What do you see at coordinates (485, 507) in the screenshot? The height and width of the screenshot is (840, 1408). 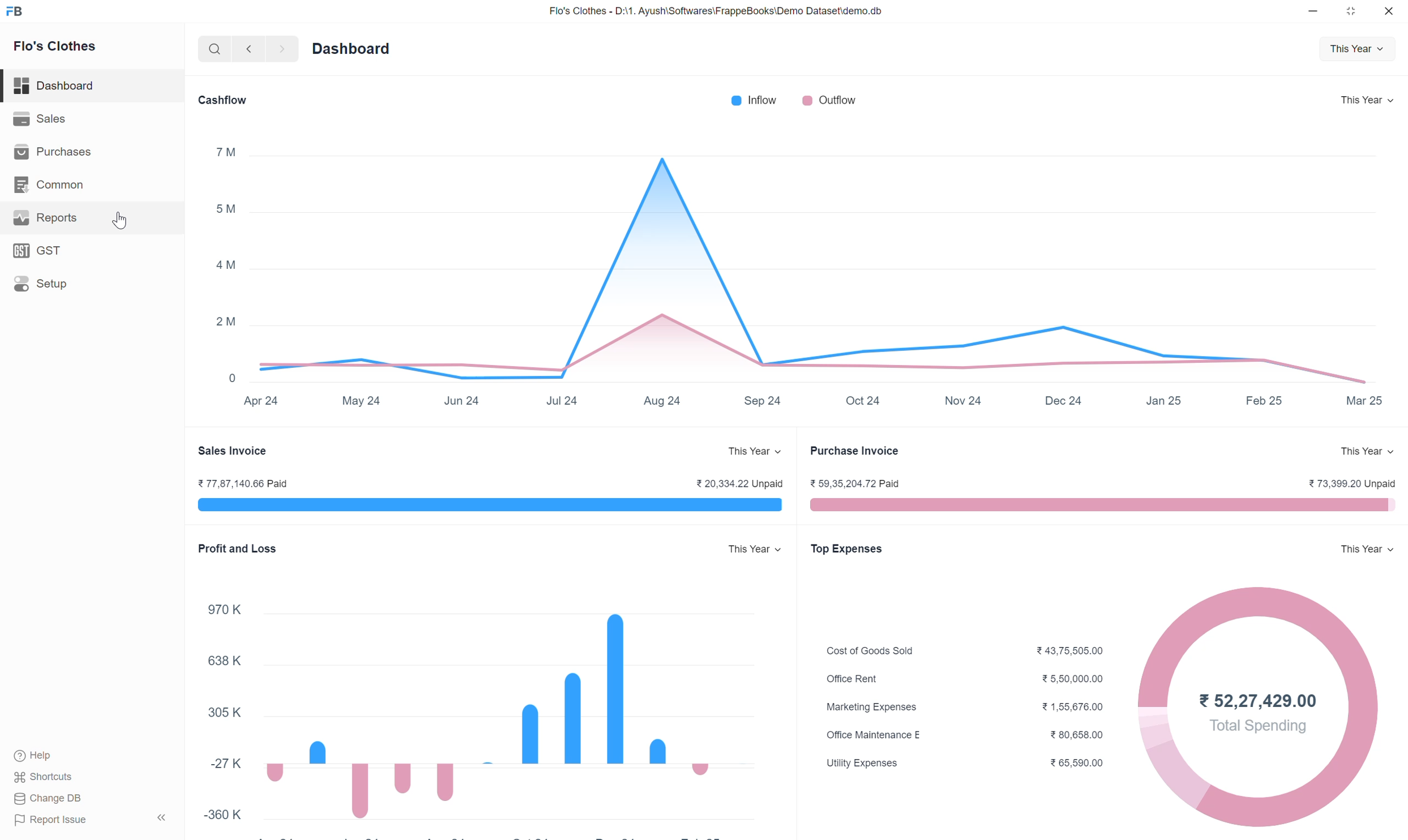 I see `status bar` at bounding box center [485, 507].